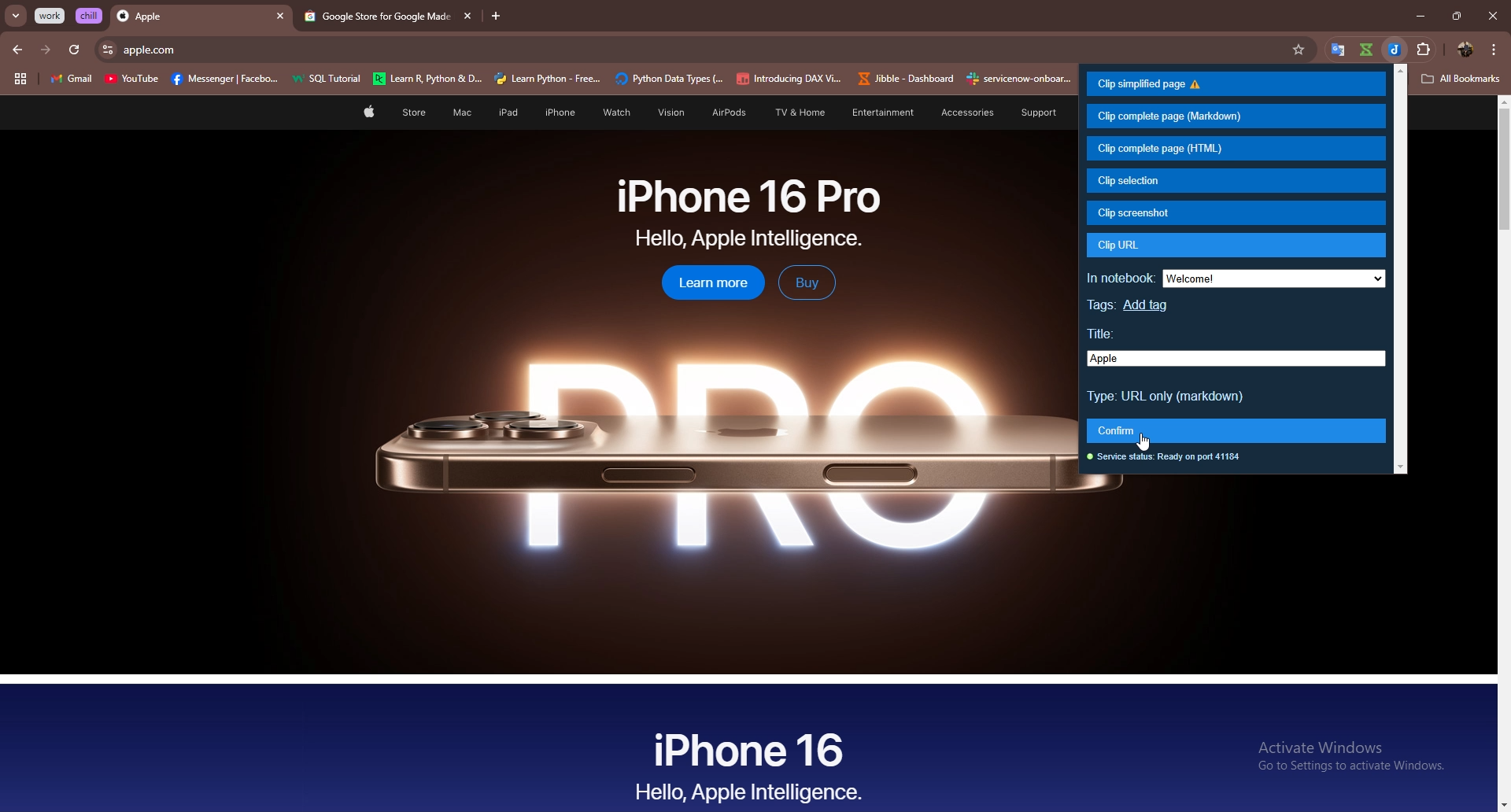 The height and width of the screenshot is (812, 1511). What do you see at coordinates (1233, 180) in the screenshot?
I see `clip selection` at bounding box center [1233, 180].